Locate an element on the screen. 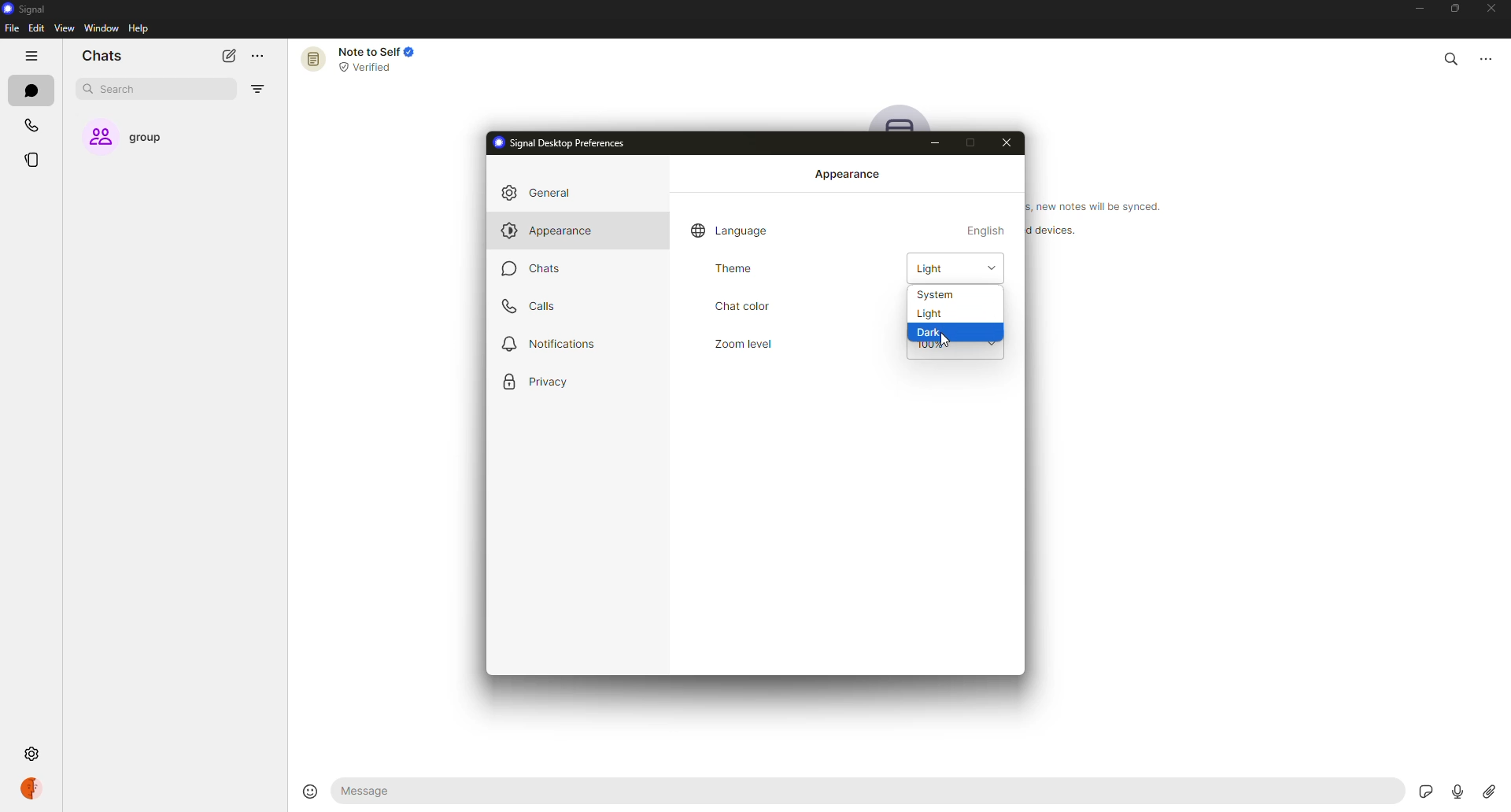 The width and height of the screenshot is (1511, 812). light is located at coordinates (931, 315).